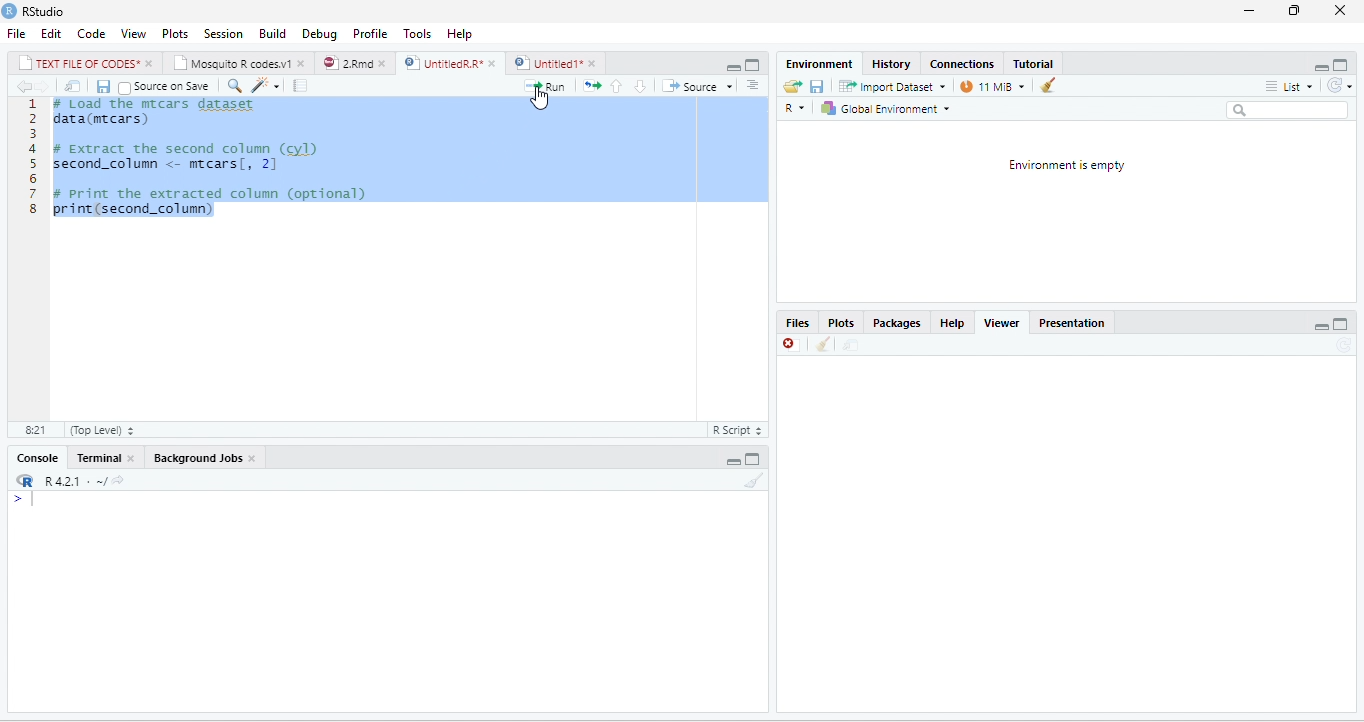 The image size is (1364, 722). What do you see at coordinates (1288, 109) in the screenshot?
I see `search` at bounding box center [1288, 109].